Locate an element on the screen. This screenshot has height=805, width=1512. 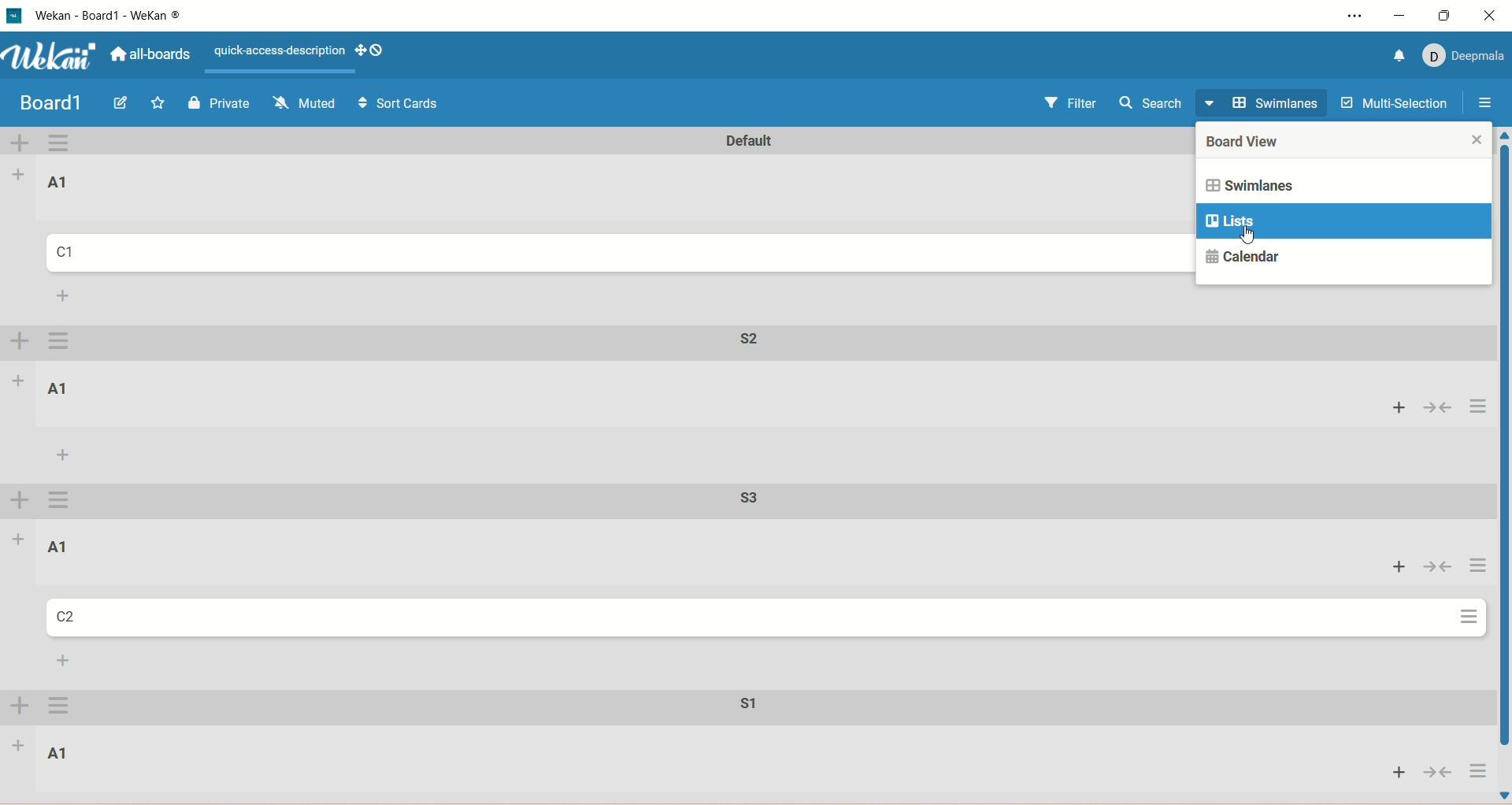
muted is located at coordinates (302, 102).